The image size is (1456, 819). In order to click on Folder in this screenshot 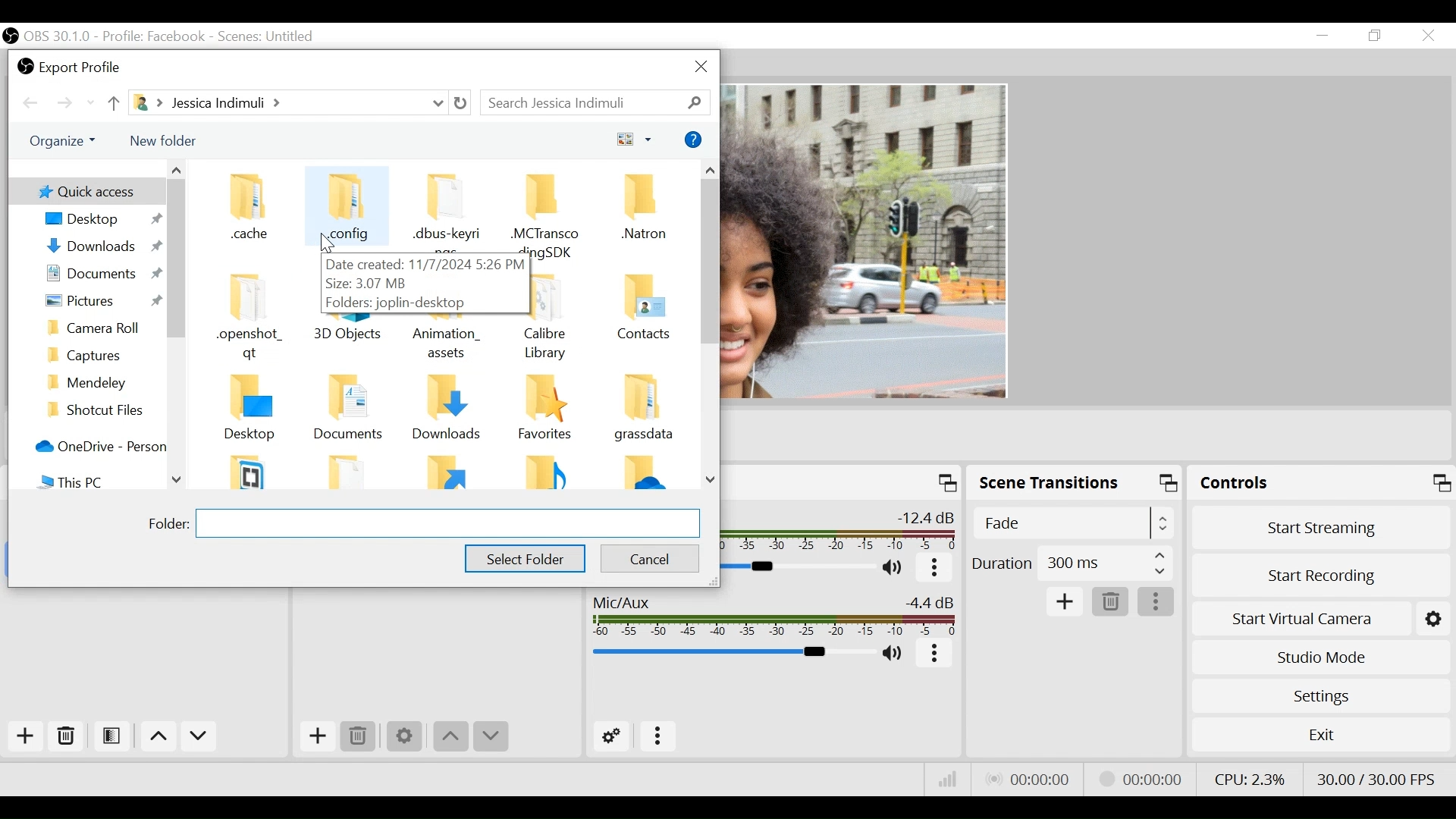, I will do `click(253, 213)`.